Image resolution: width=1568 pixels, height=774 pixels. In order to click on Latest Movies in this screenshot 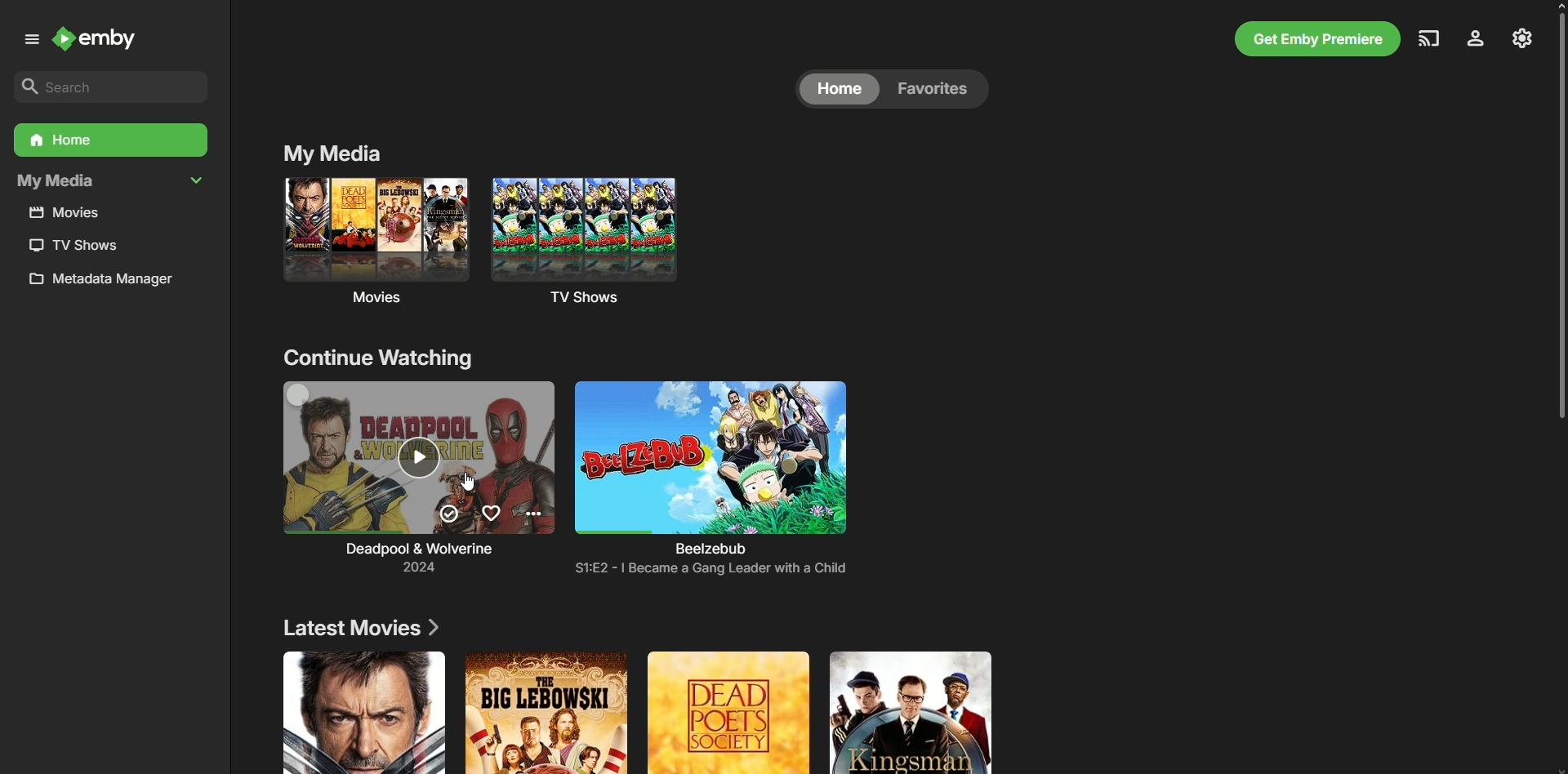, I will do `click(363, 629)`.